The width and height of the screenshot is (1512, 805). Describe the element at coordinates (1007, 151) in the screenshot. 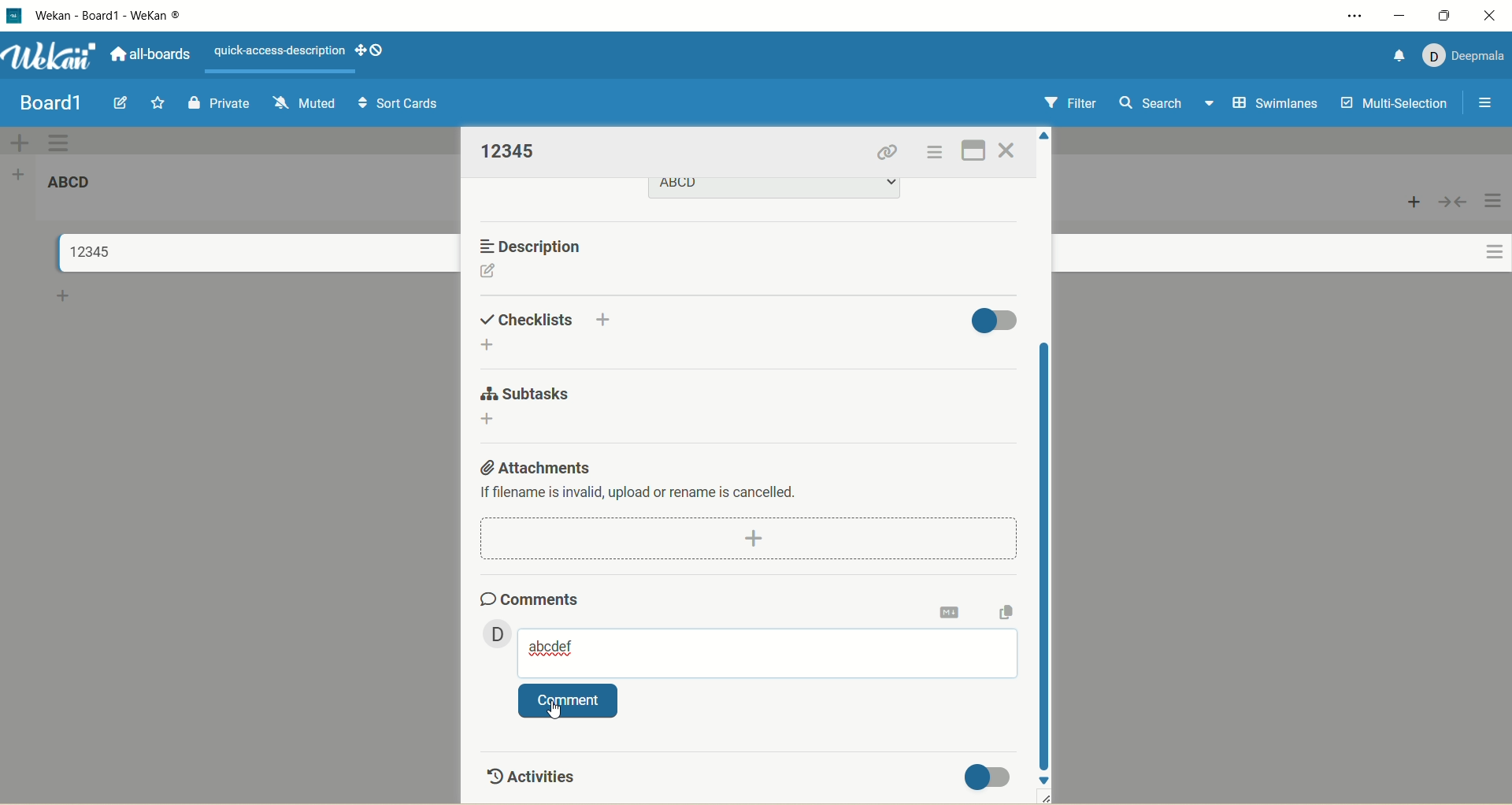

I see `close` at that location.